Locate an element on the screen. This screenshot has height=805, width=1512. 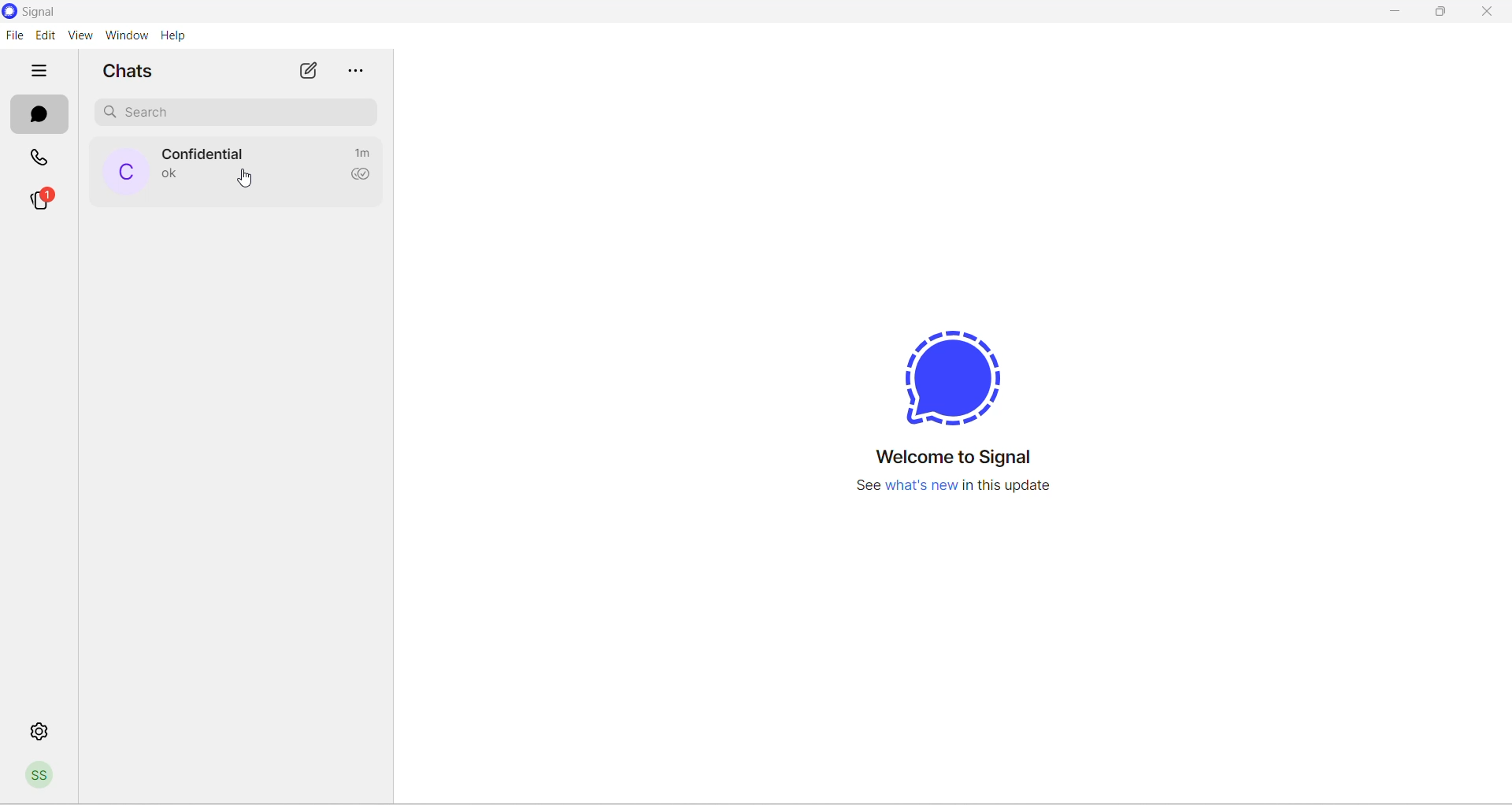
hide is located at coordinates (37, 70).